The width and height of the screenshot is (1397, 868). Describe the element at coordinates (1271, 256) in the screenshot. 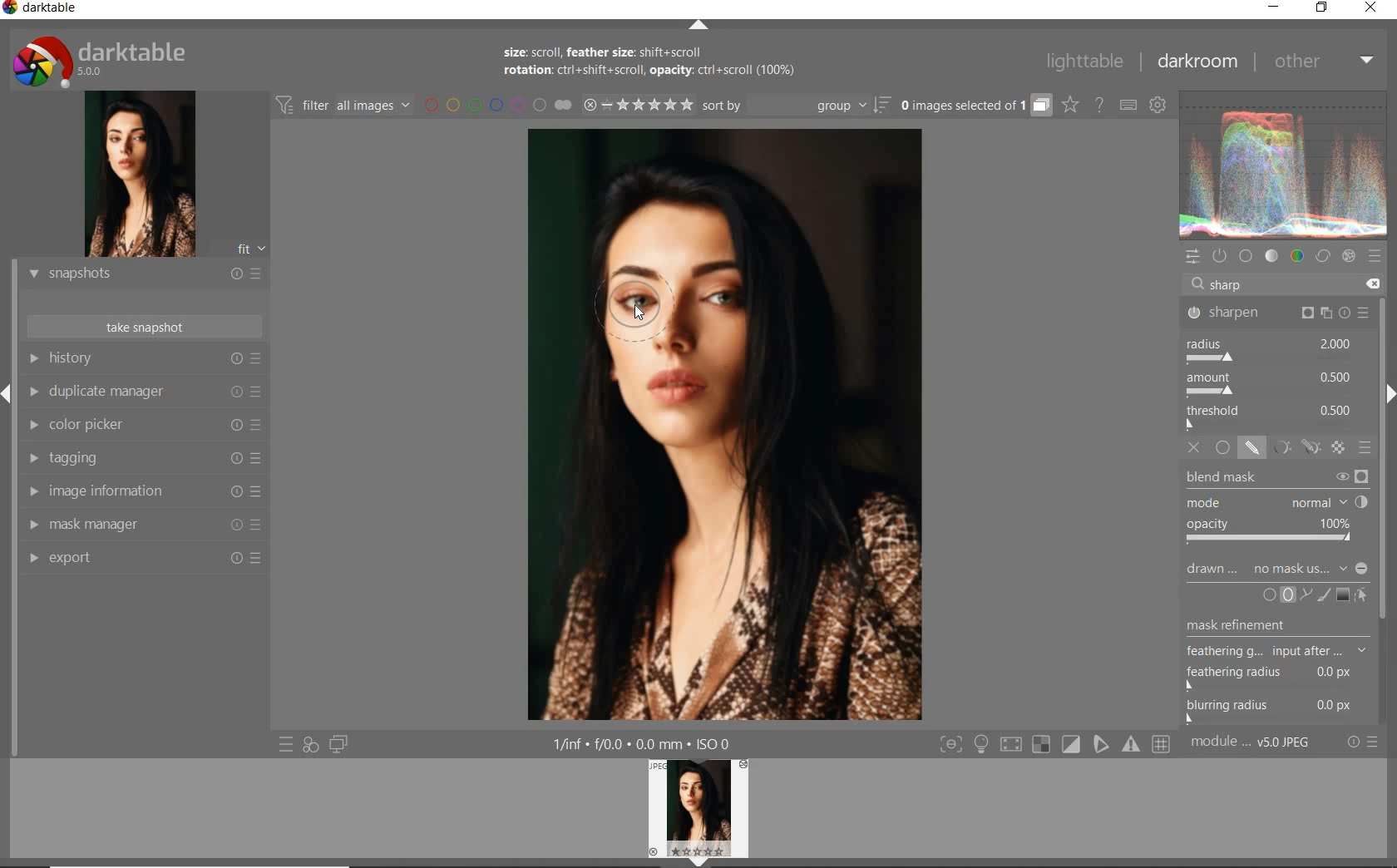

I see `tone` at that location.